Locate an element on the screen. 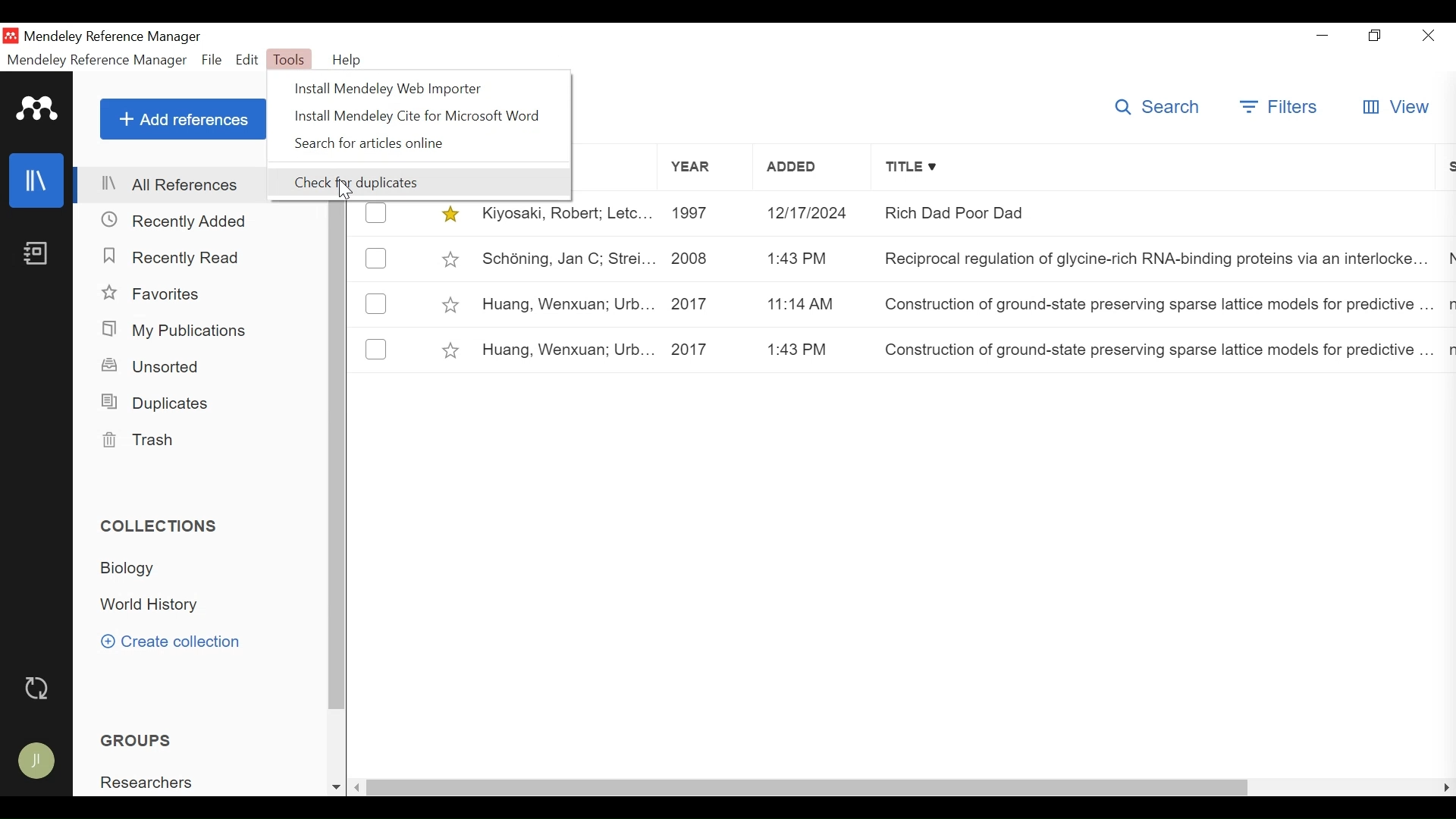 This screenshot has width=1456, height=819. Tools is located at coordinates (290, 61).